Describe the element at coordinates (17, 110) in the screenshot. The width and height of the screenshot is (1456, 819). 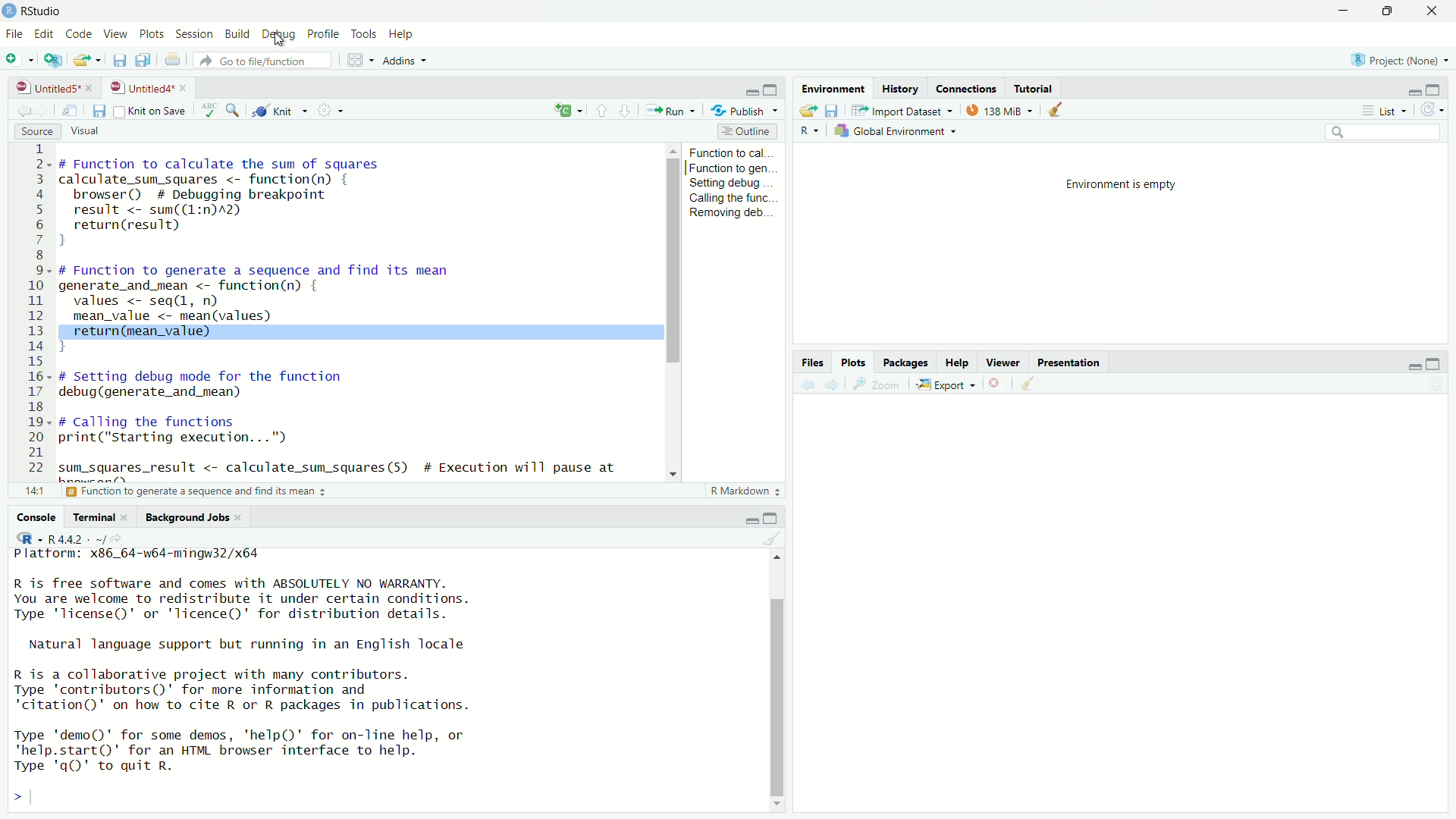
I see `go back to the previous source location` at that location.